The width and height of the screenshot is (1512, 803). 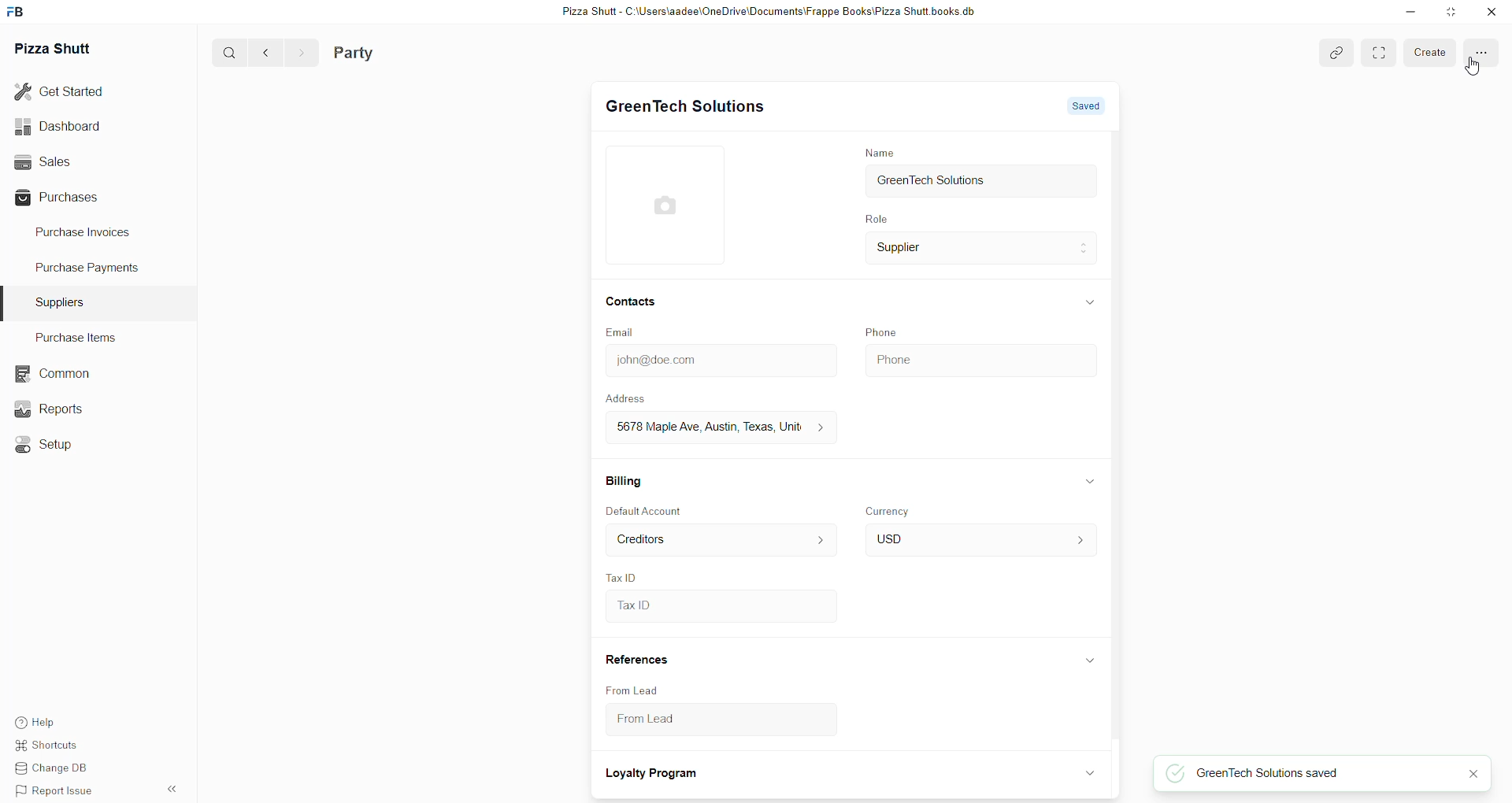 I want to click on fullscreen, so click(x=1379, y=52).